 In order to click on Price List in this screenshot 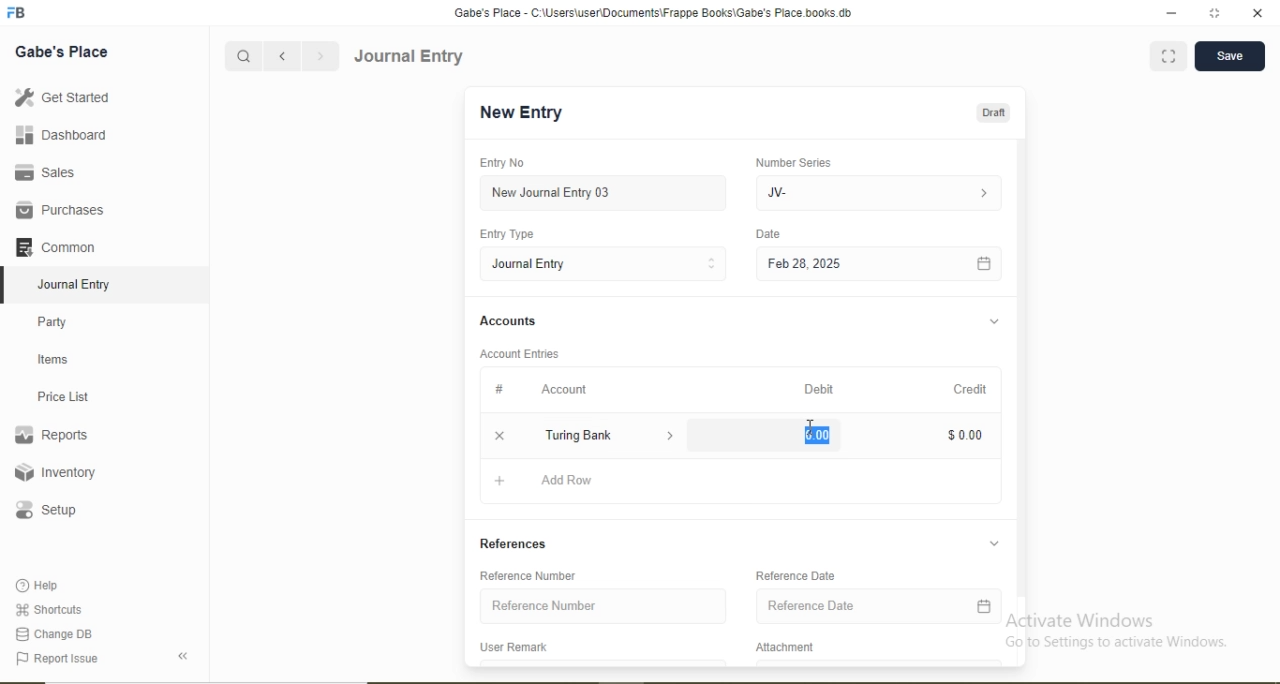, I will do `click(62, 397)`.